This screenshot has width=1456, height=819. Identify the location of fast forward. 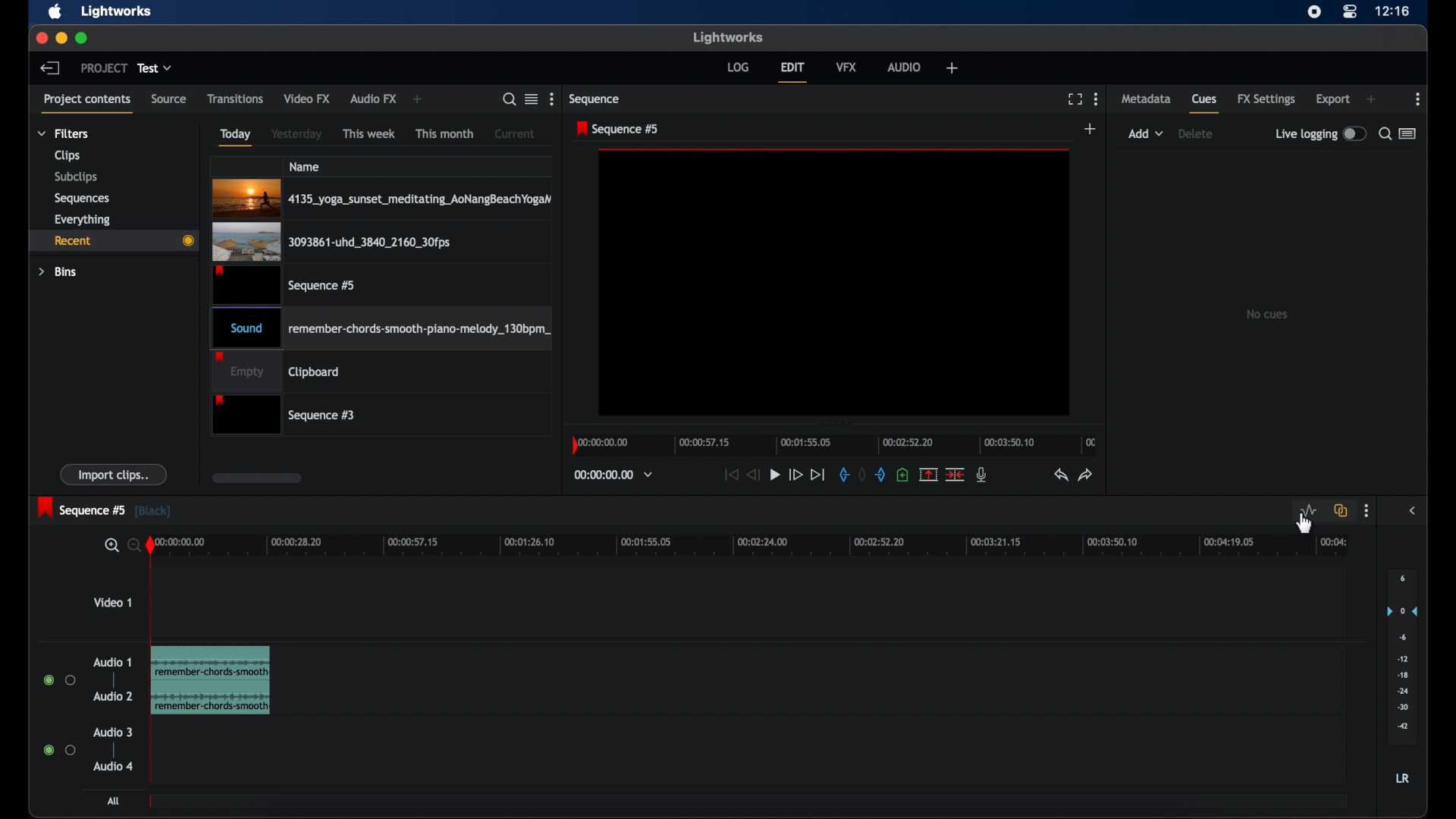
(795, 475).